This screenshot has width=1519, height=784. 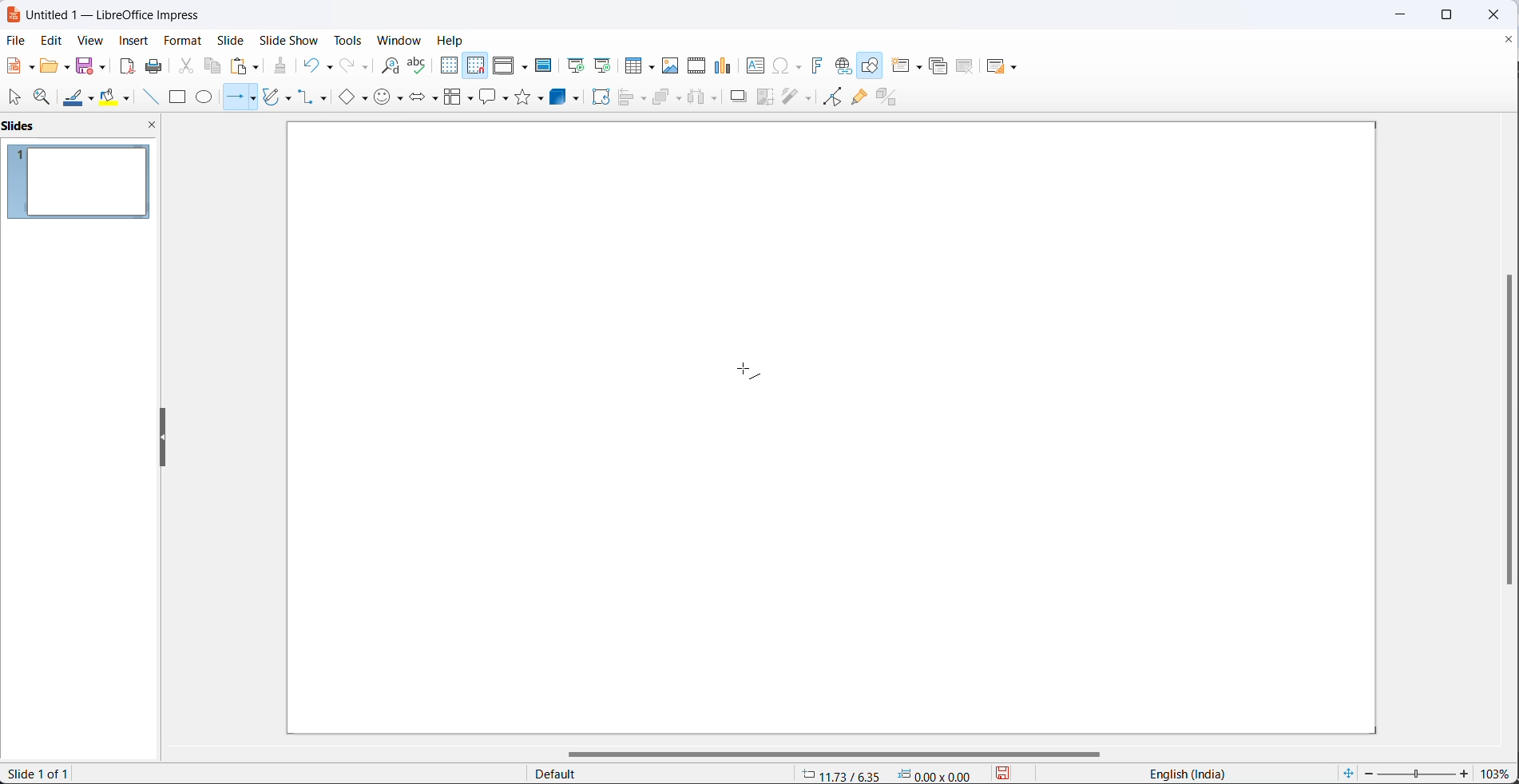 I want to click on align, so click(x=634, y=98).